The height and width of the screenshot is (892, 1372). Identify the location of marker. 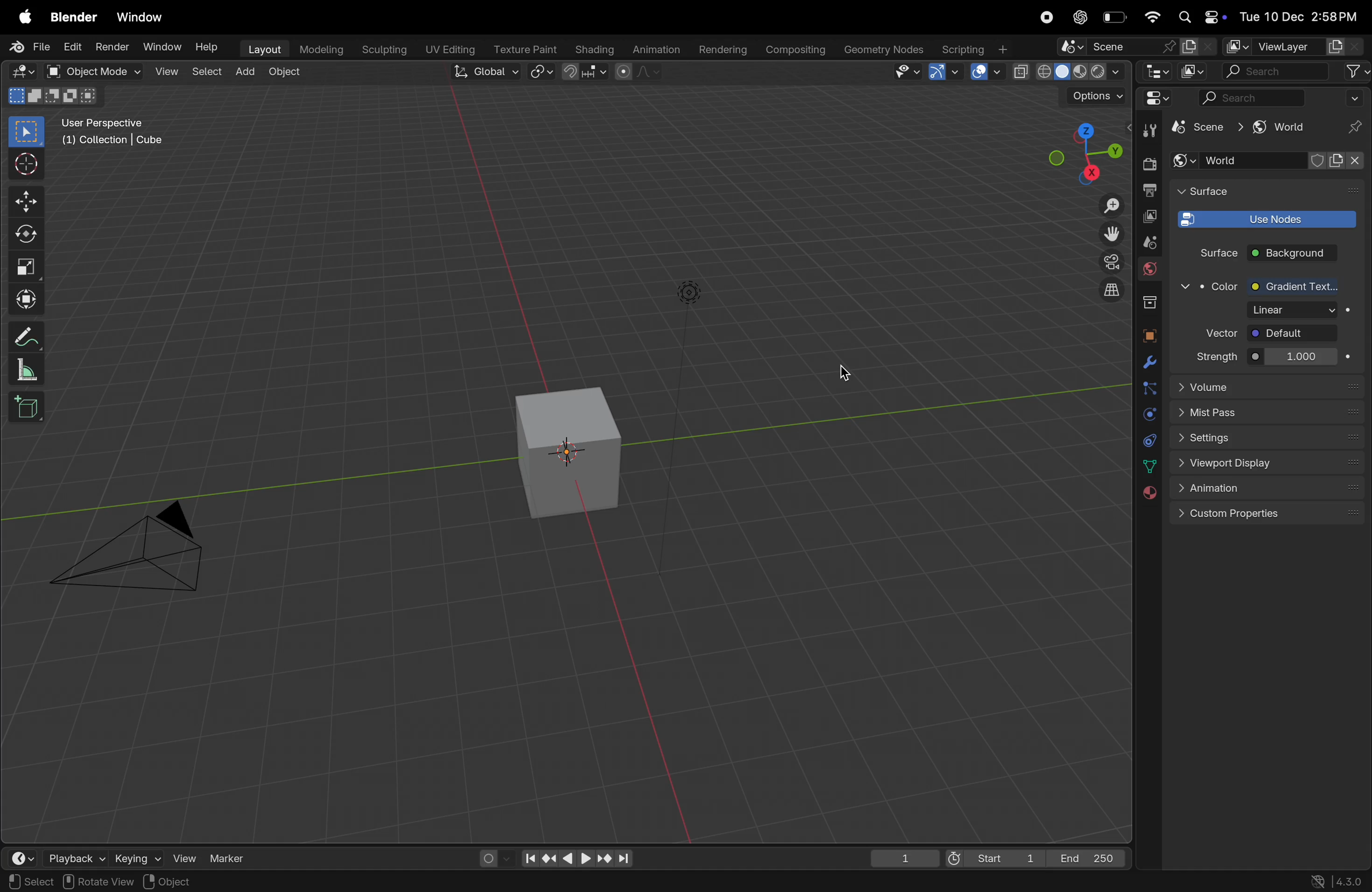
(228, 857).